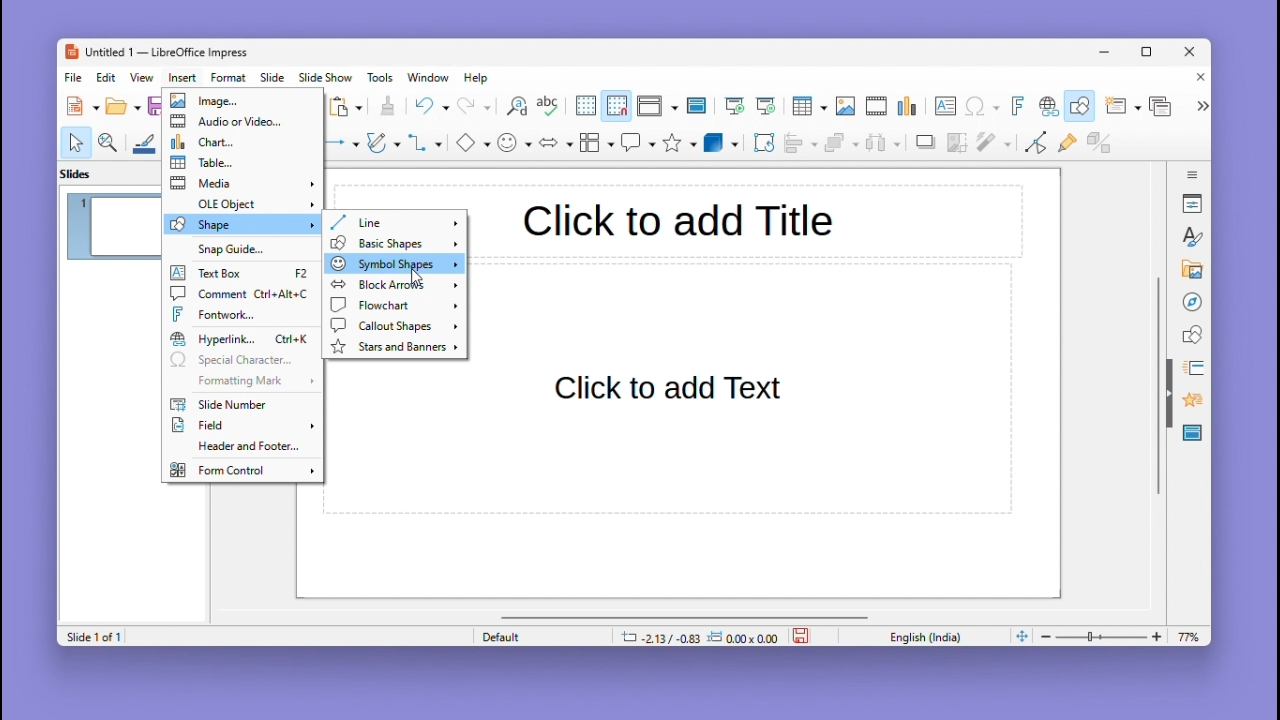 Image resolution: width=1280 pixels, height=720 pixels. What do you see at coordinates (539, 636) in the screenshot?
I see `Default` at bounding box center [539, 636].